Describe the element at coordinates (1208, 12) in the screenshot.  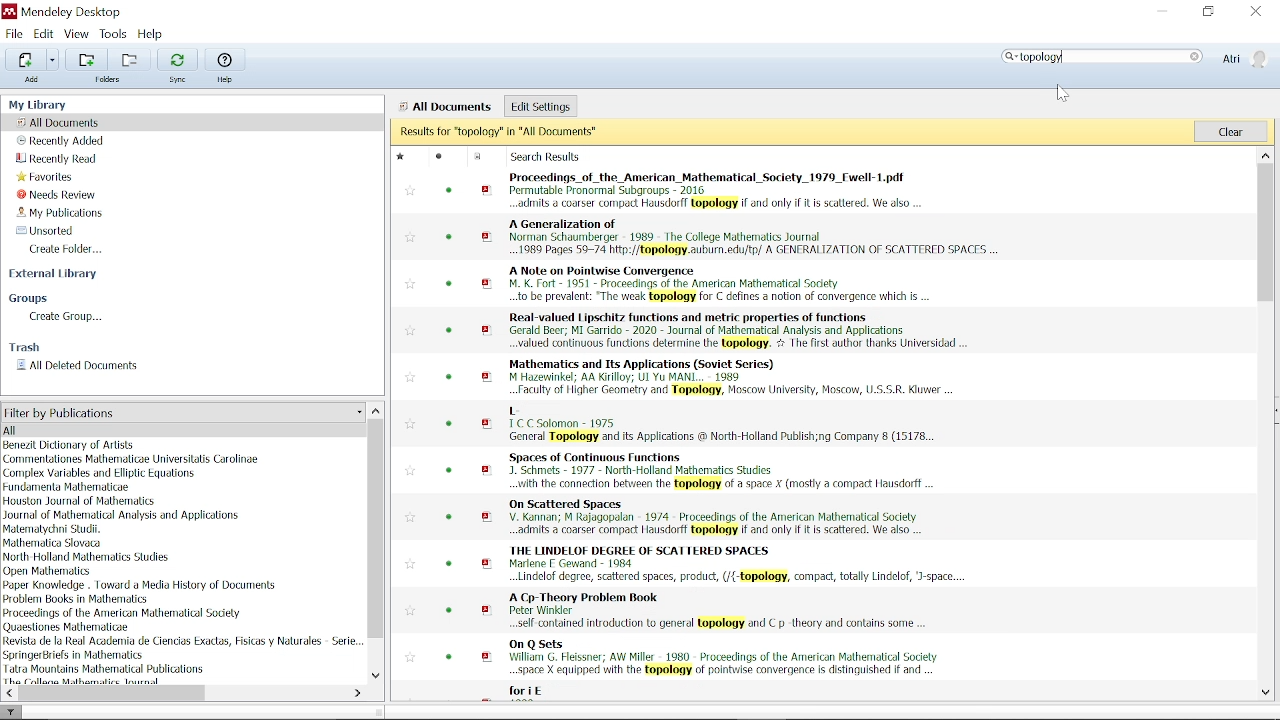
I see `restore down` at that location.